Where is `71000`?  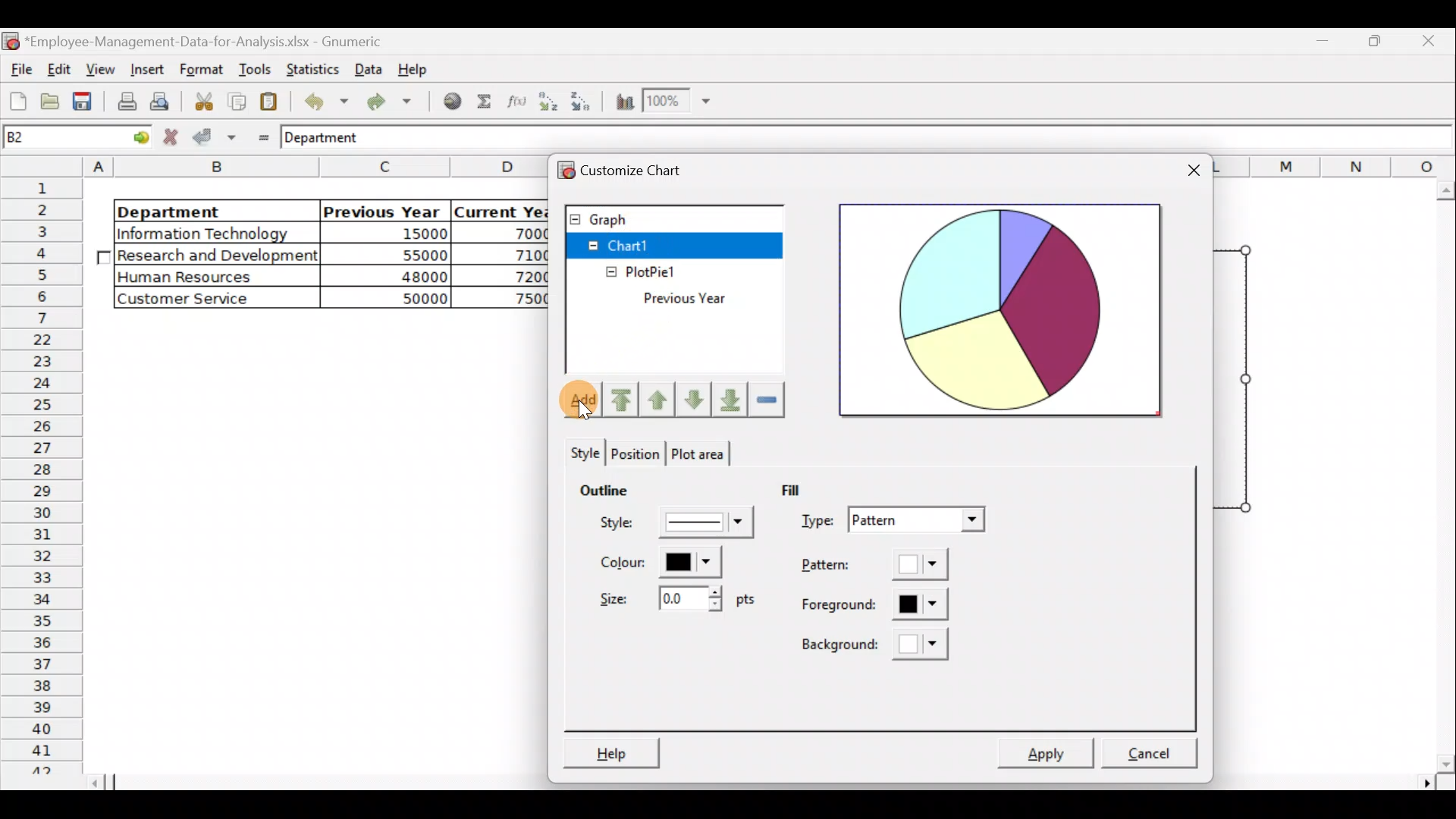 71000 is located at coordinates (519, 255).